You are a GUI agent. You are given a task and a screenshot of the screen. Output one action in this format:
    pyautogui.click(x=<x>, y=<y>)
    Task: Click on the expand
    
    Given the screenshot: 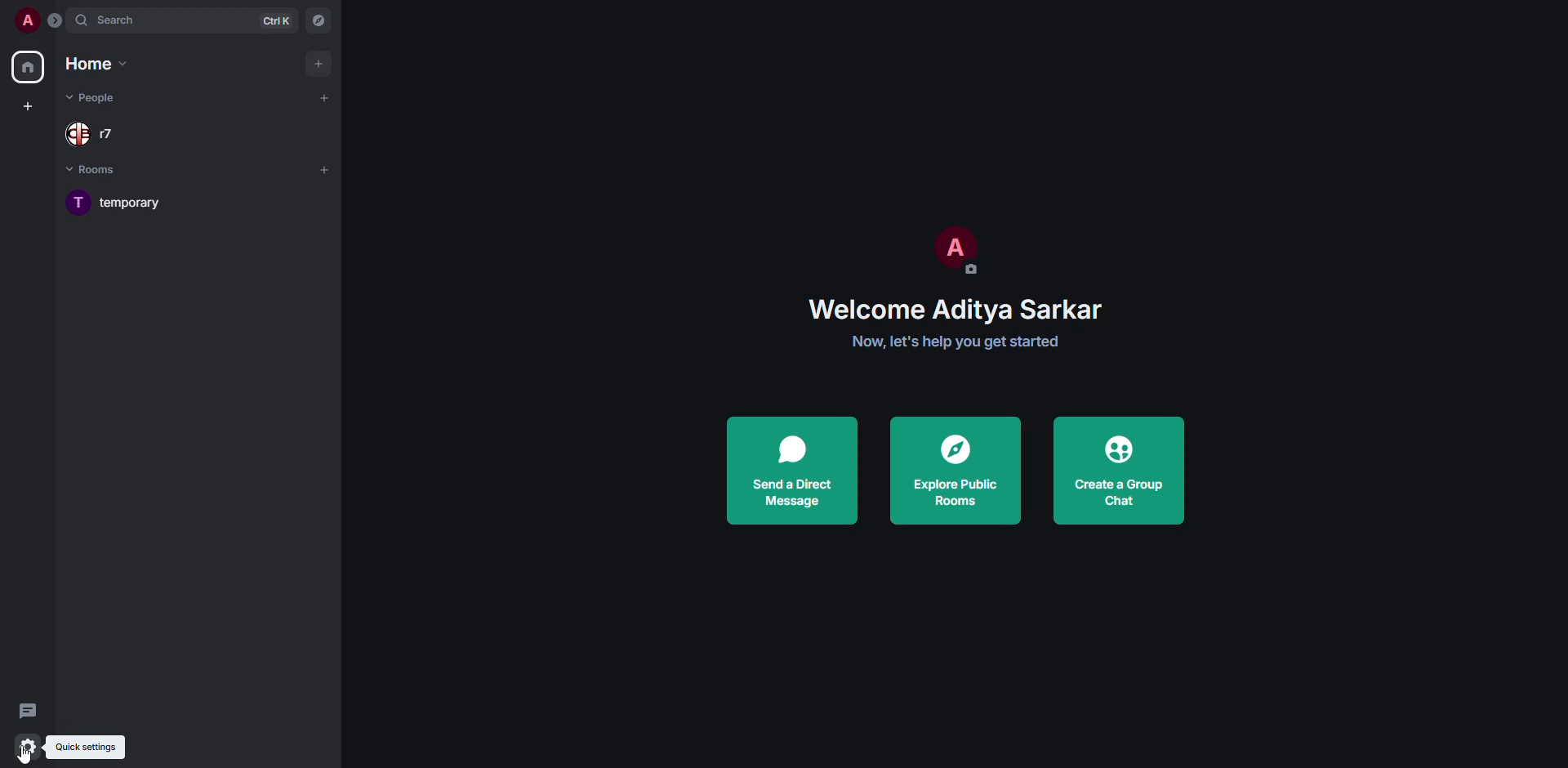 What is the action you would take?
    pyautogui.click(x=56, y=20)
    